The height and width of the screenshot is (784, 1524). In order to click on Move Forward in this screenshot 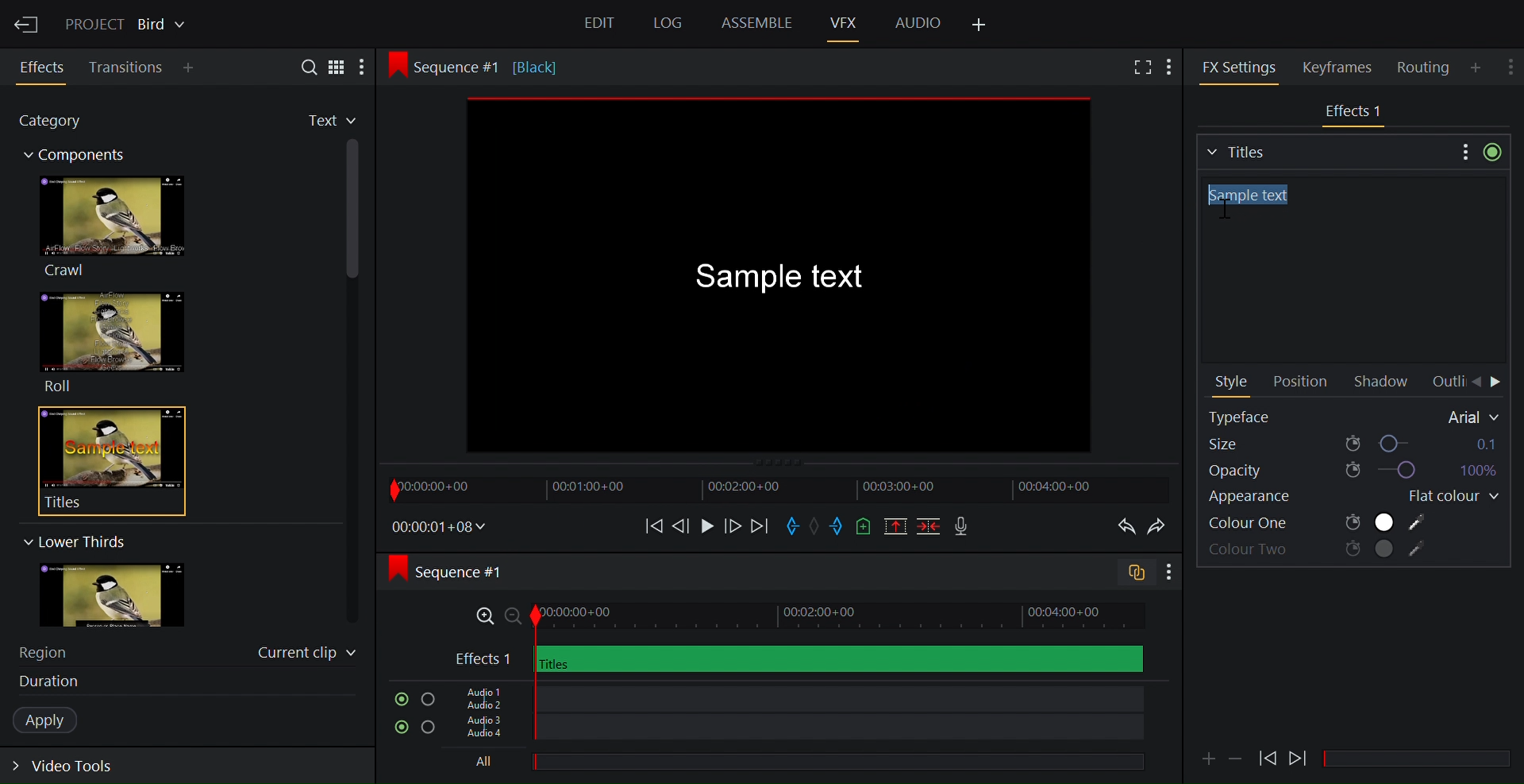, I will do `click(1497, 383)`.